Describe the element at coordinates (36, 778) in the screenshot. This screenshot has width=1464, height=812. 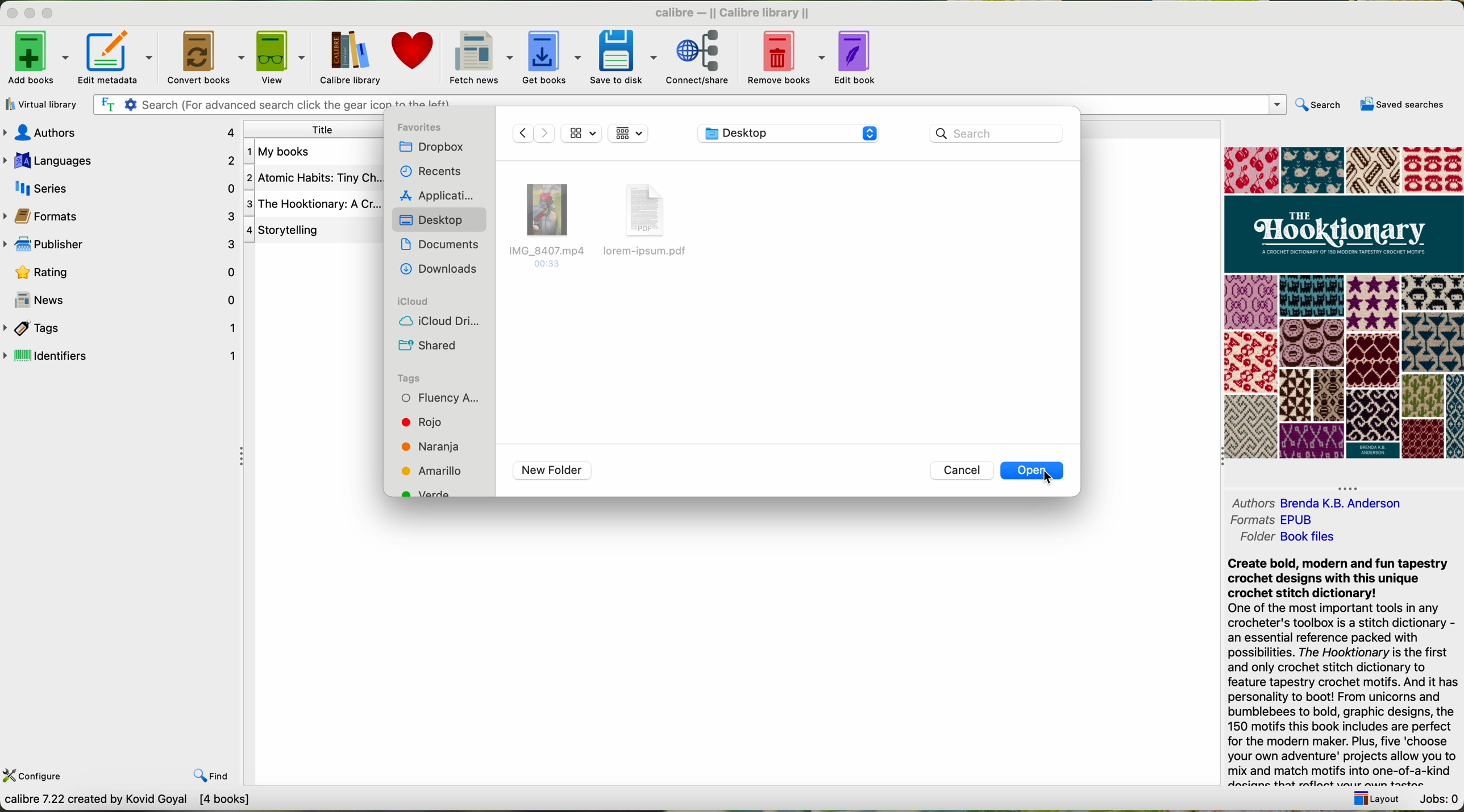
I see `configure` at that location.